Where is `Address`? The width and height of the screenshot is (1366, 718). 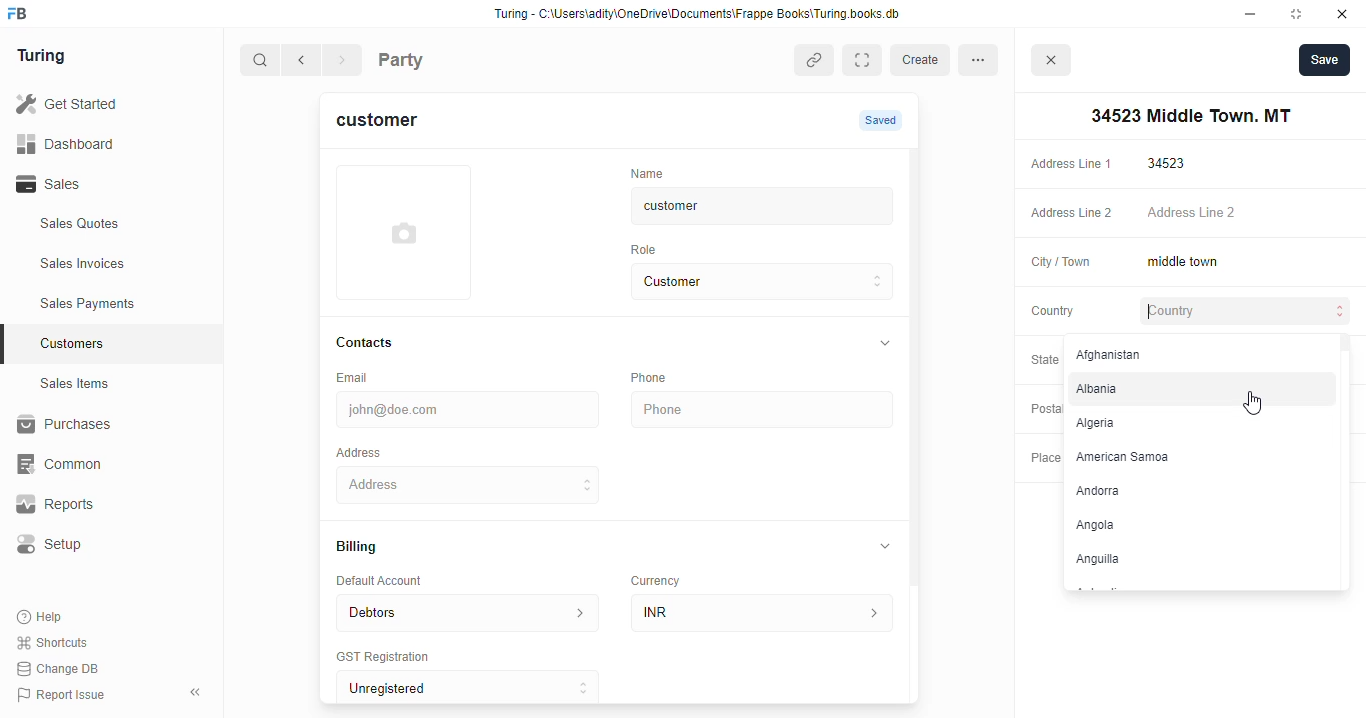
Address is located at coordinates (372, 451).